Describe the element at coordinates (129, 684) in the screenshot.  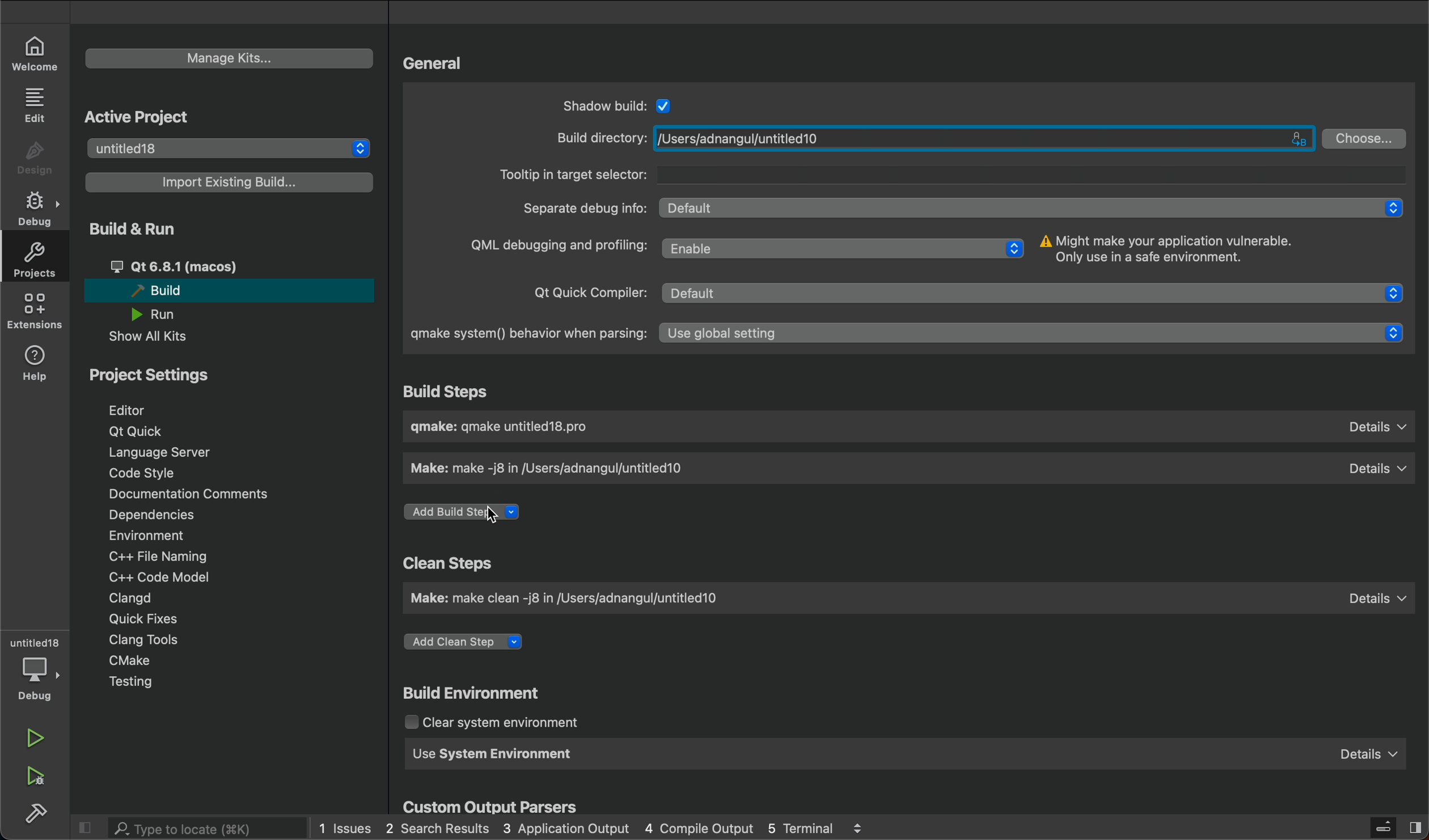
I see `Testing` at that location.